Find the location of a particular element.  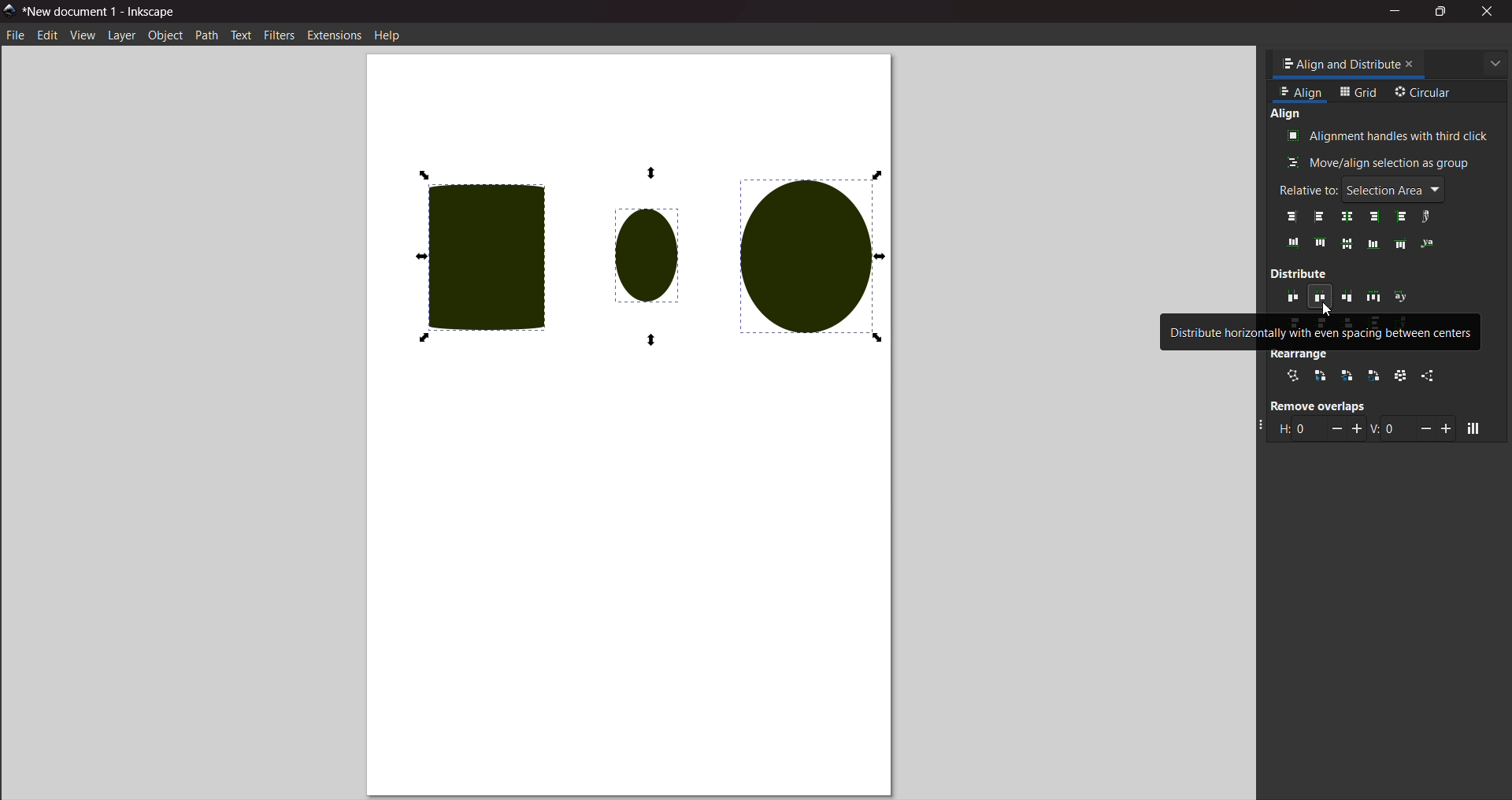

align is located at coordinates (1291, 116).